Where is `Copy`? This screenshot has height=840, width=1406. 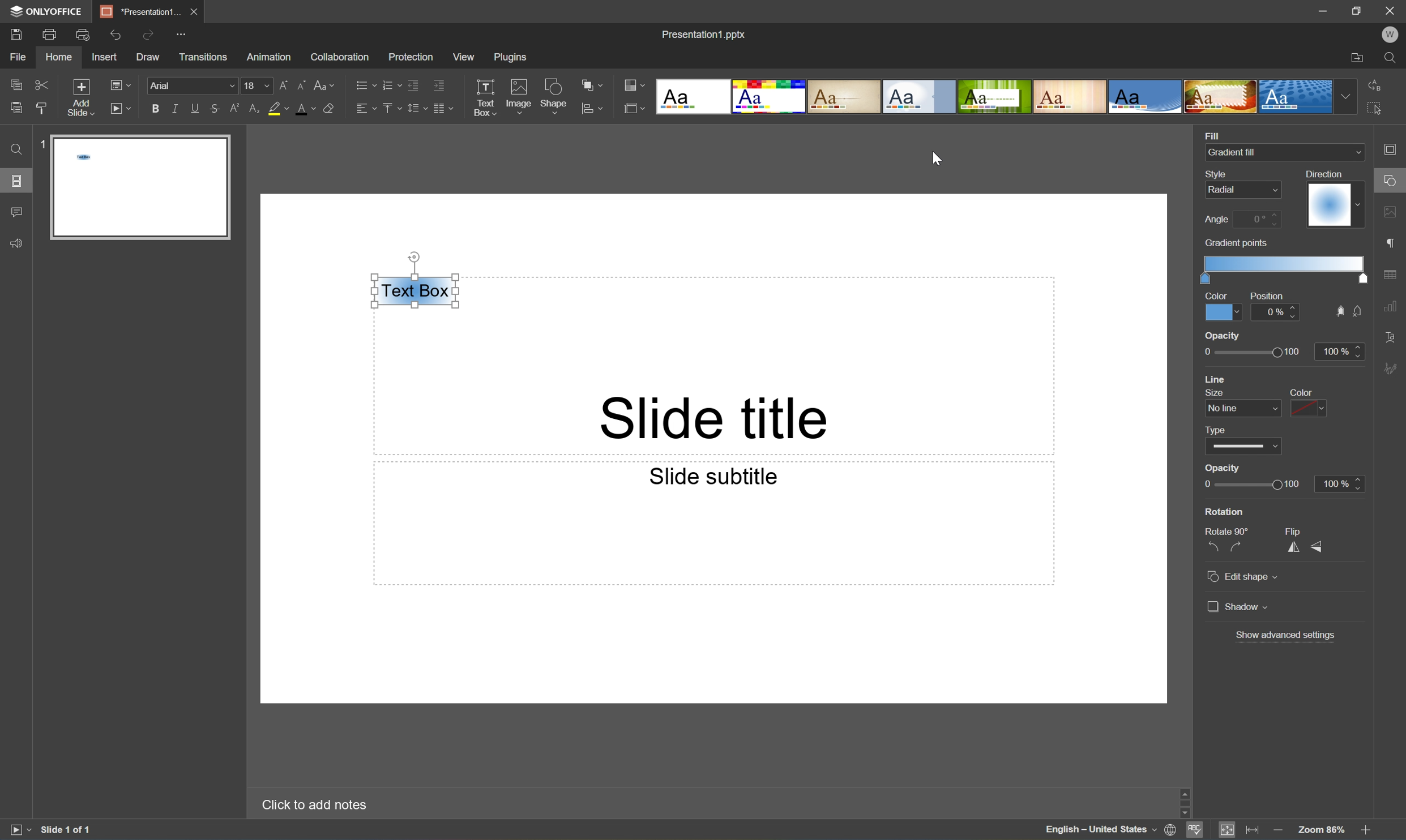
Copy is located at coordinates (14, 84).